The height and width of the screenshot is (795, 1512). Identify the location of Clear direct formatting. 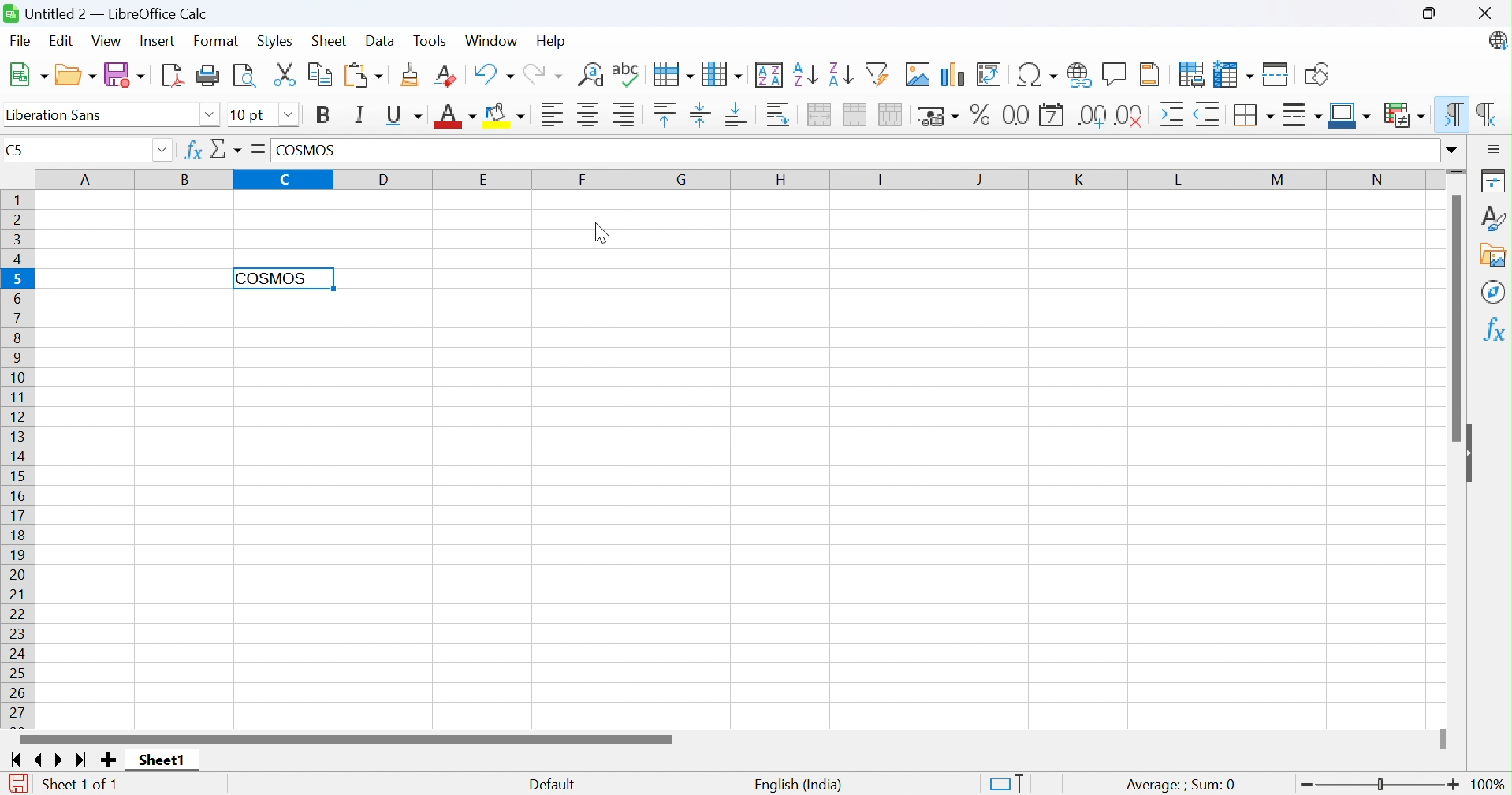
(445, 76).